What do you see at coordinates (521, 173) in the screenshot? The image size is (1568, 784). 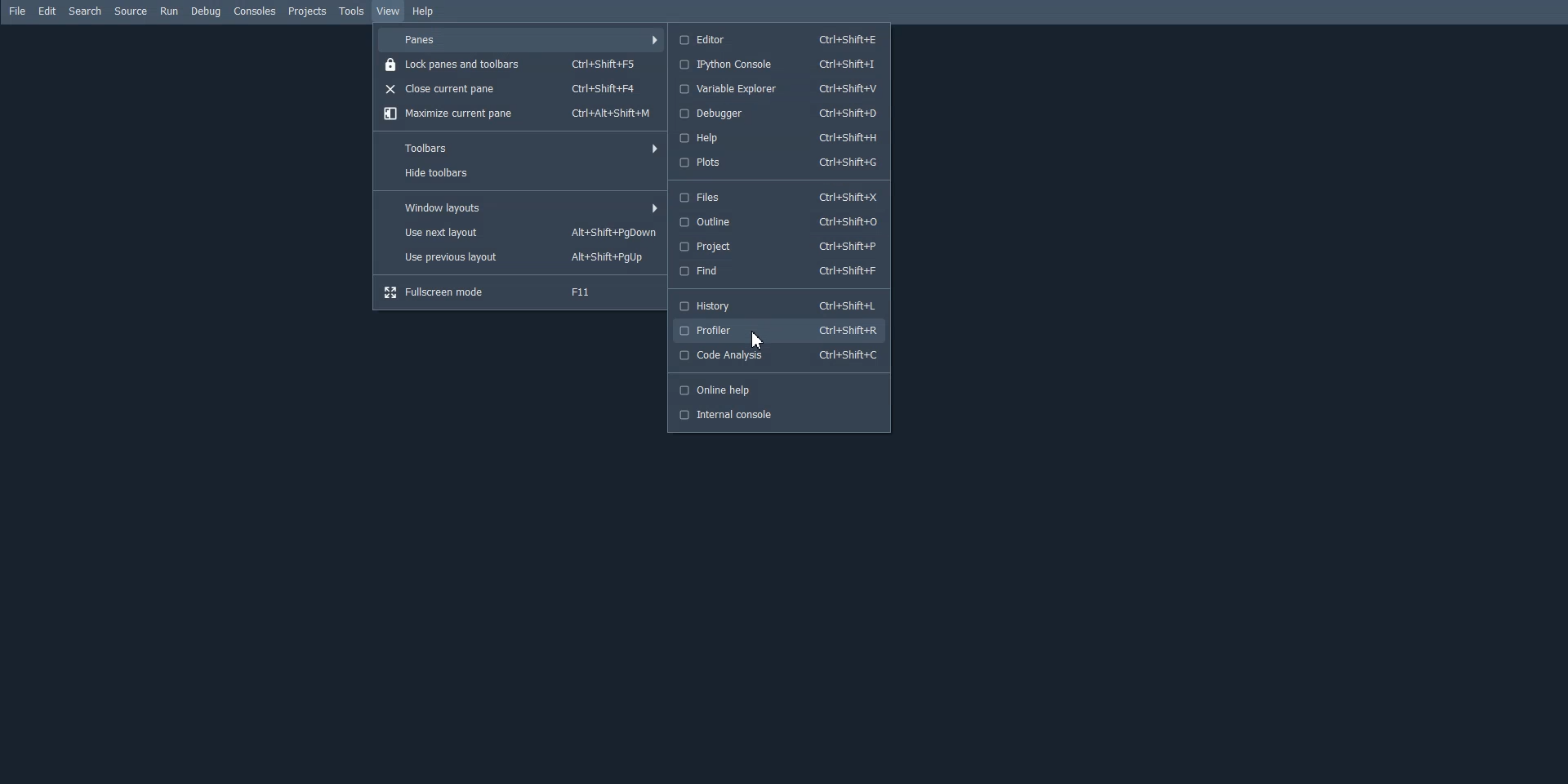 I see `Hide toolbars` at bounding box center [521, 173].